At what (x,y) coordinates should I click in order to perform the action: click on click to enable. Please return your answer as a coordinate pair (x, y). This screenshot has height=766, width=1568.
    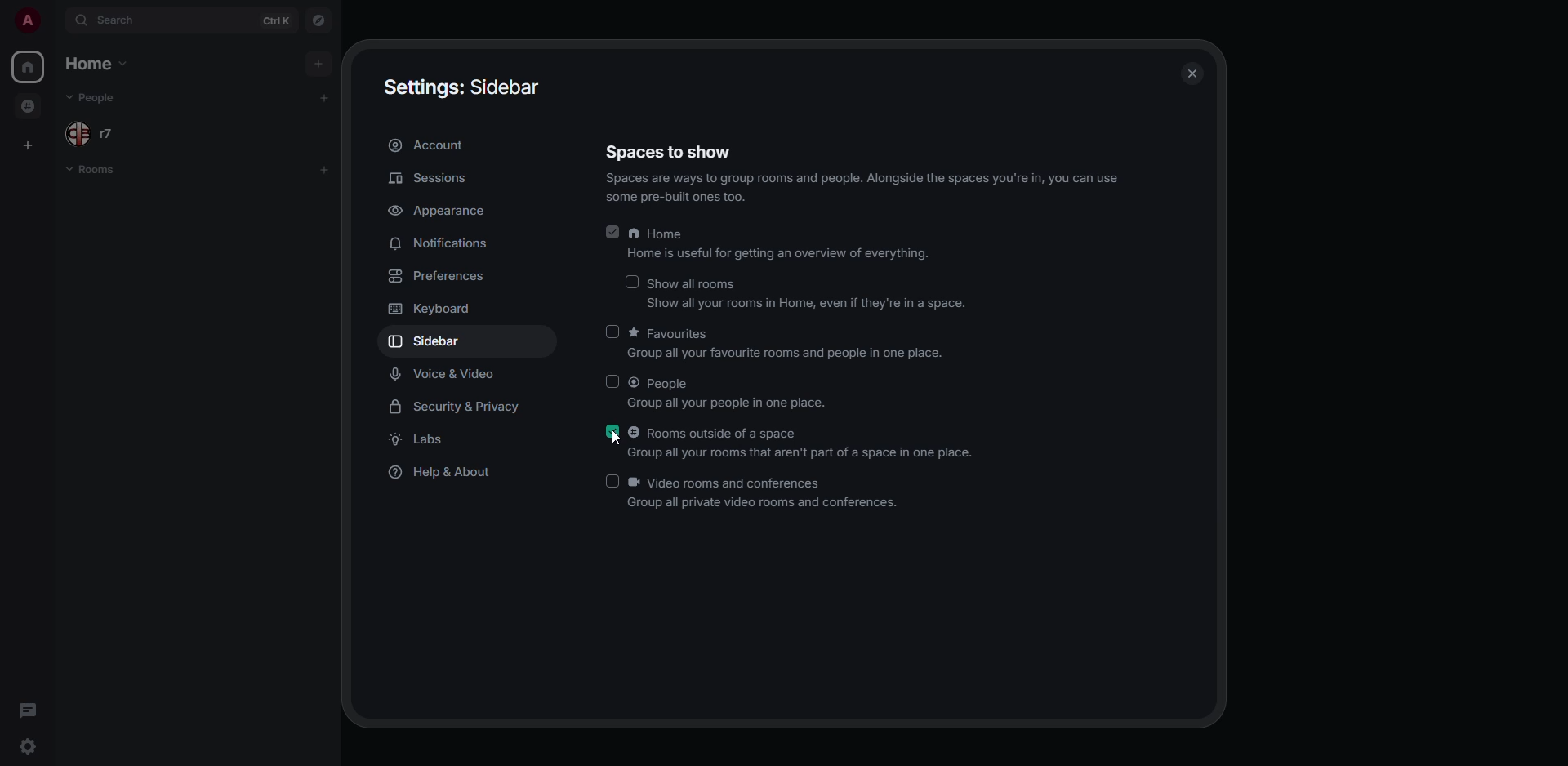
    Looking at the image, I should click on (611, 383).